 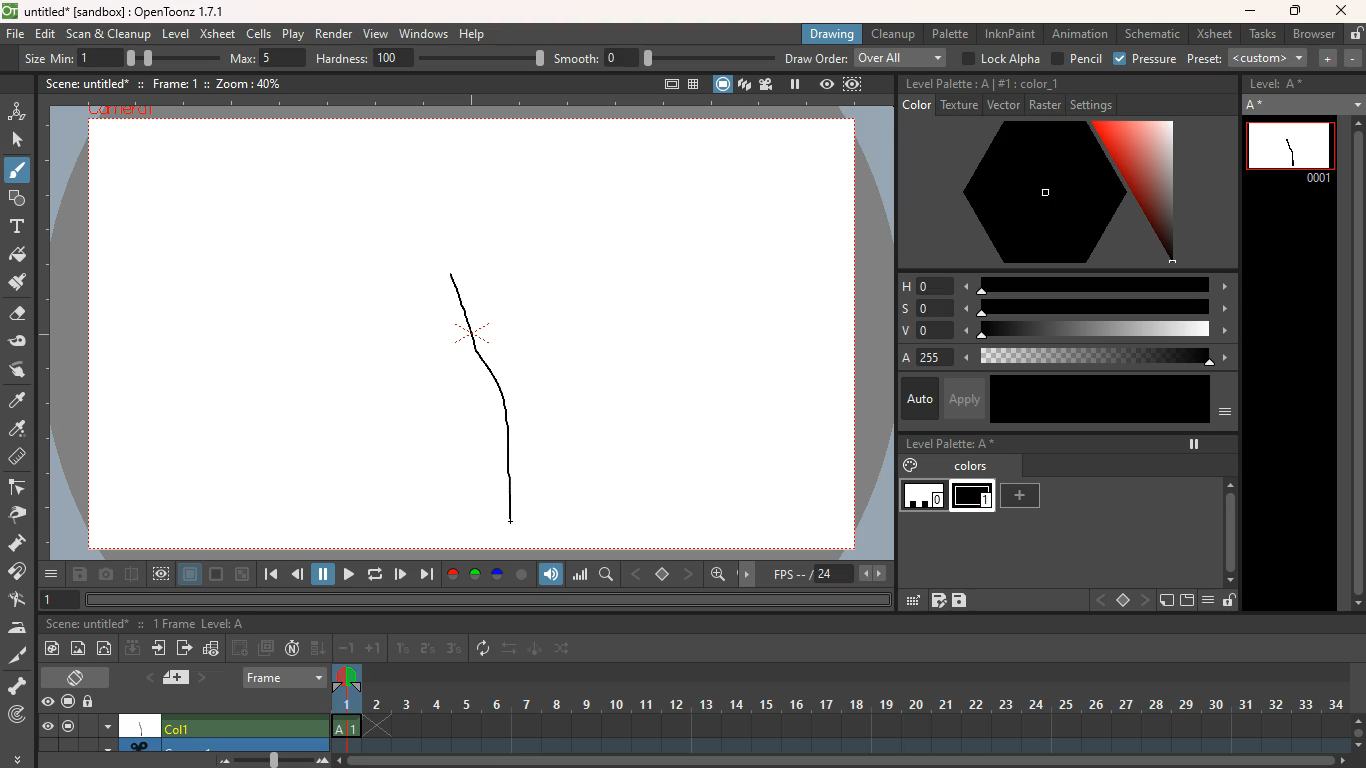 What do you see at coordinates (19, 458) in the screenshot?
I see `measure` at bounding box center [19, 458].